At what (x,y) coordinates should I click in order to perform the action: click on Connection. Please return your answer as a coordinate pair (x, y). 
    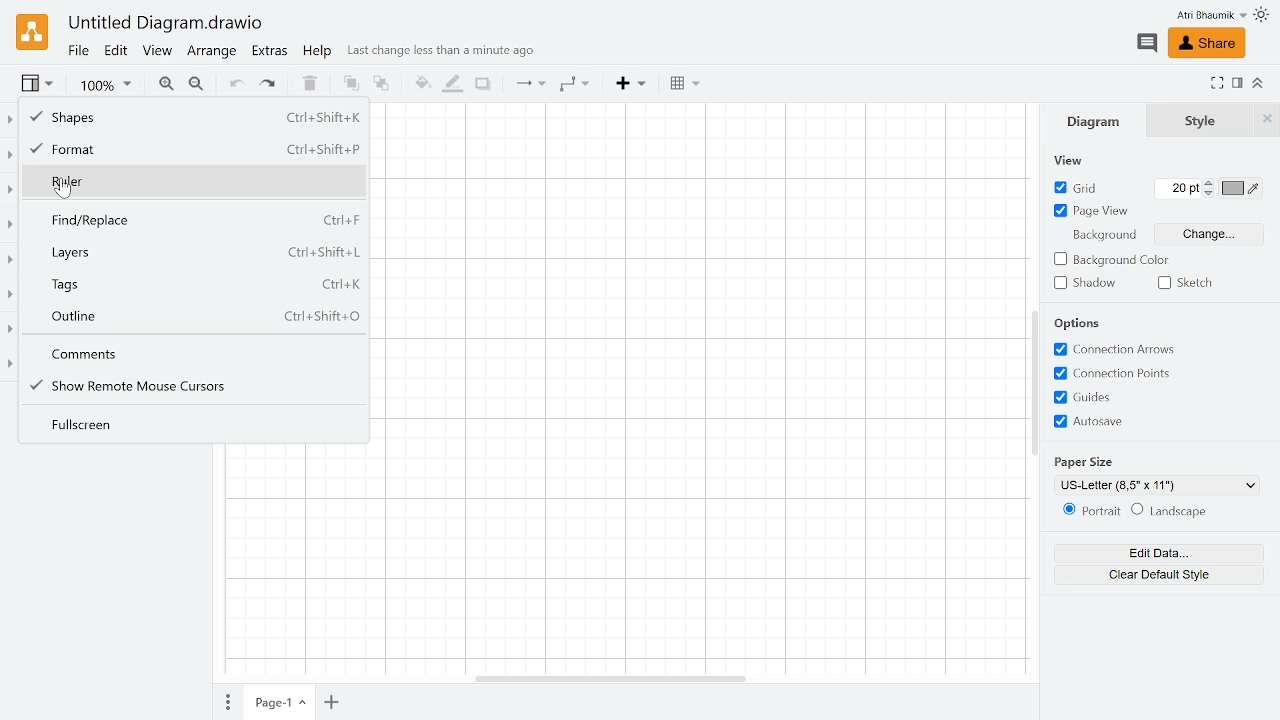
    Looking at the image, I should click on (529, 85).